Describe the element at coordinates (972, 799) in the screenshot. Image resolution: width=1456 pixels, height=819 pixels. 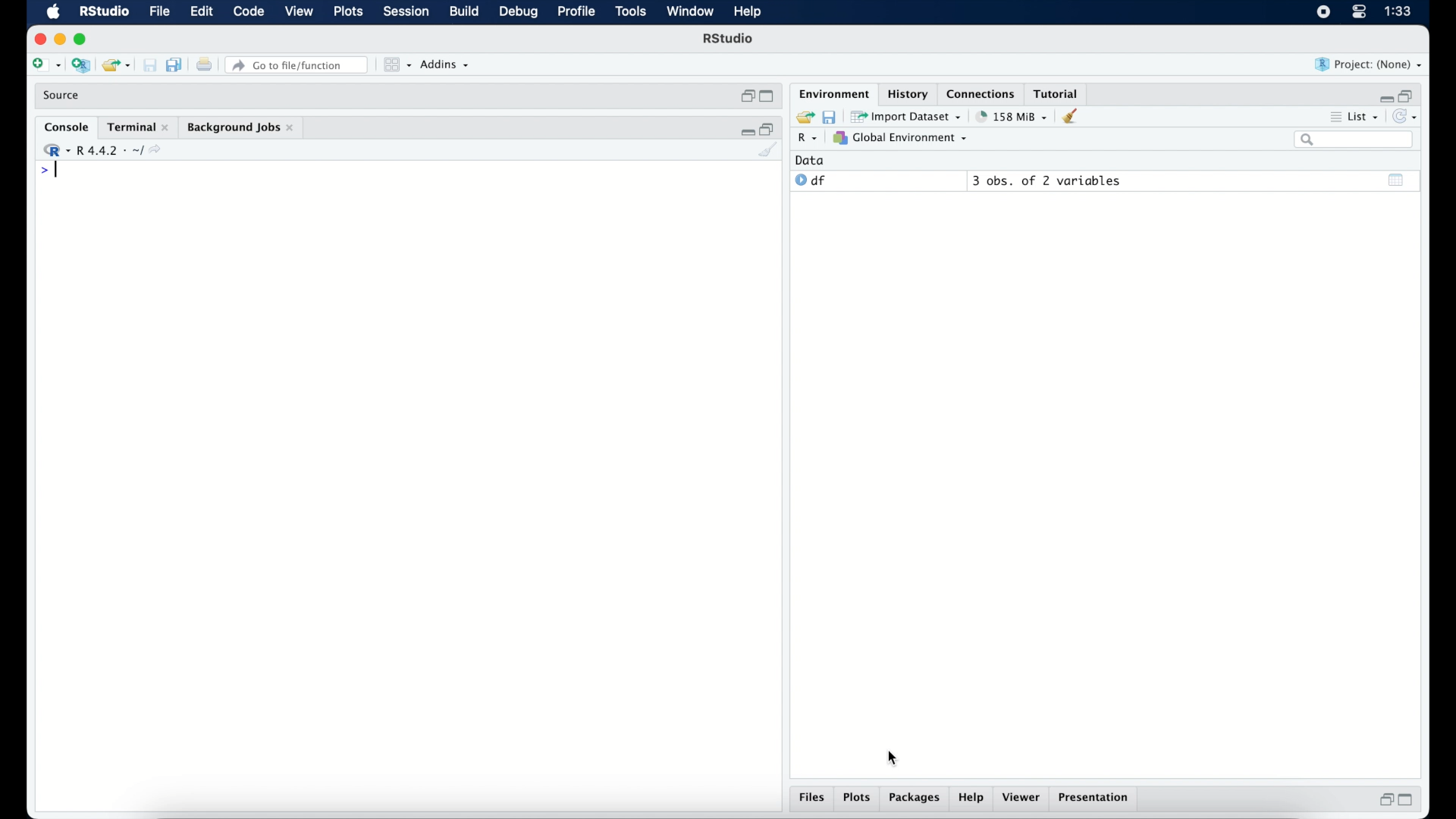
I see `help` at that location.